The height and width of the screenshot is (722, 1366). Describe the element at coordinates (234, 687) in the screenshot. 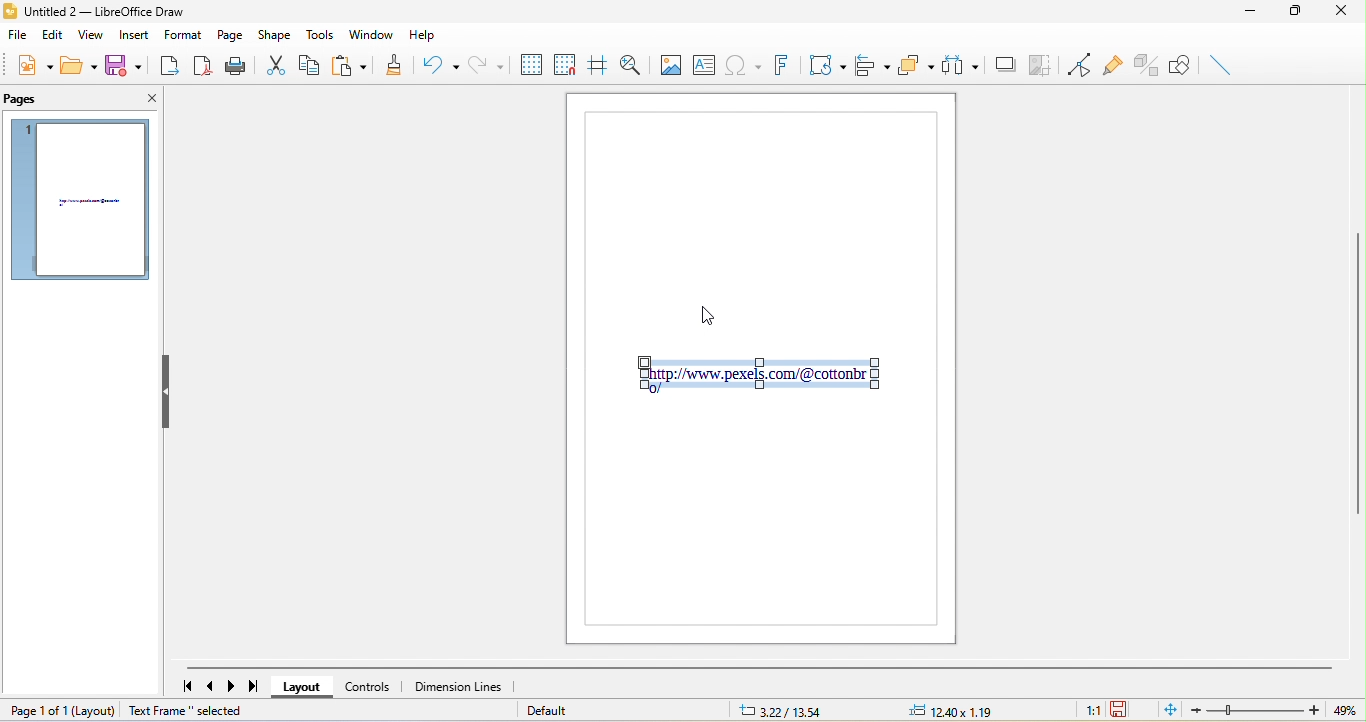

I see `next page` at that location.